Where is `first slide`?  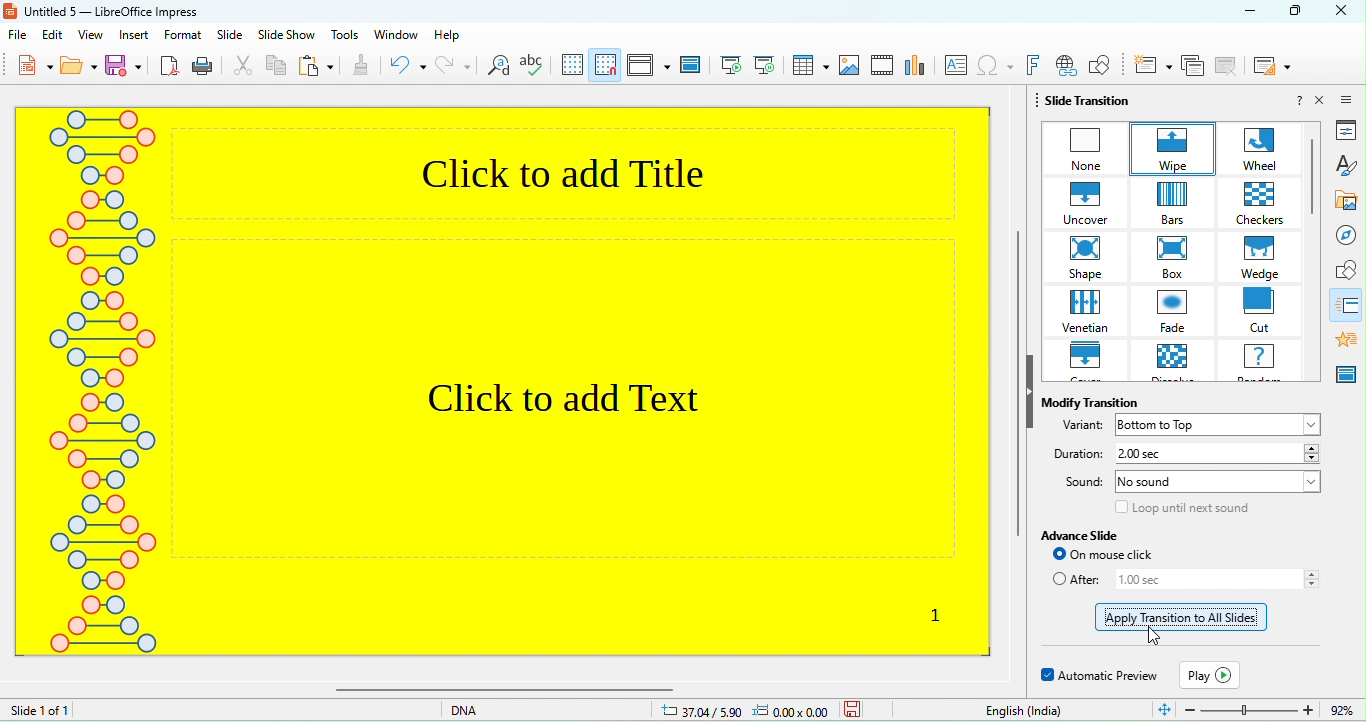 first slide is located at coordinates (734, 68).